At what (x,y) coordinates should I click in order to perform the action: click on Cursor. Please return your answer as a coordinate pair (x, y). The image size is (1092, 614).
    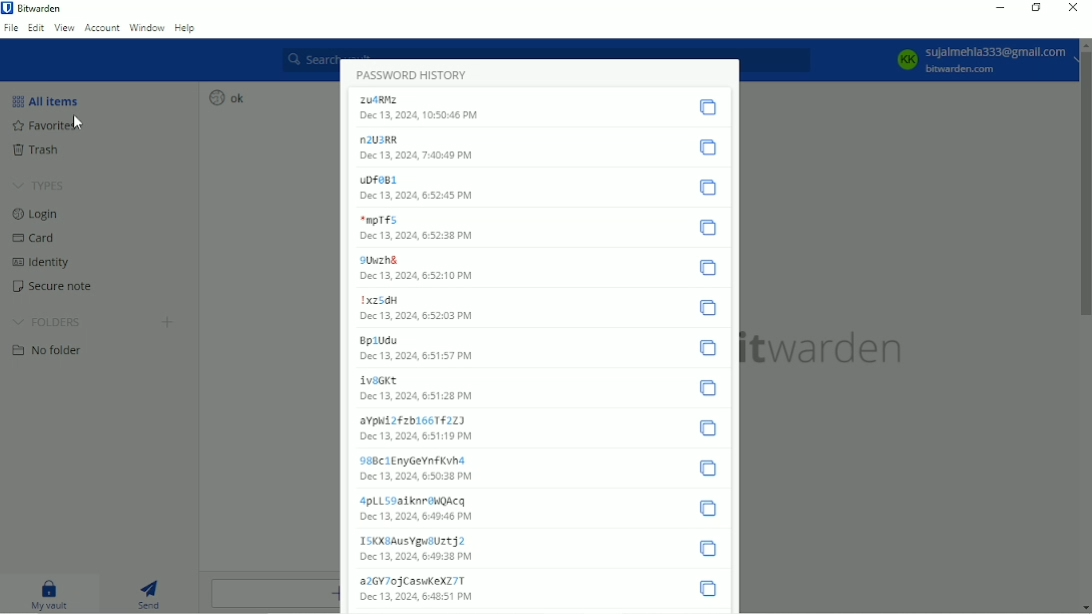
    Looking at the image, I should click on (79, 122).